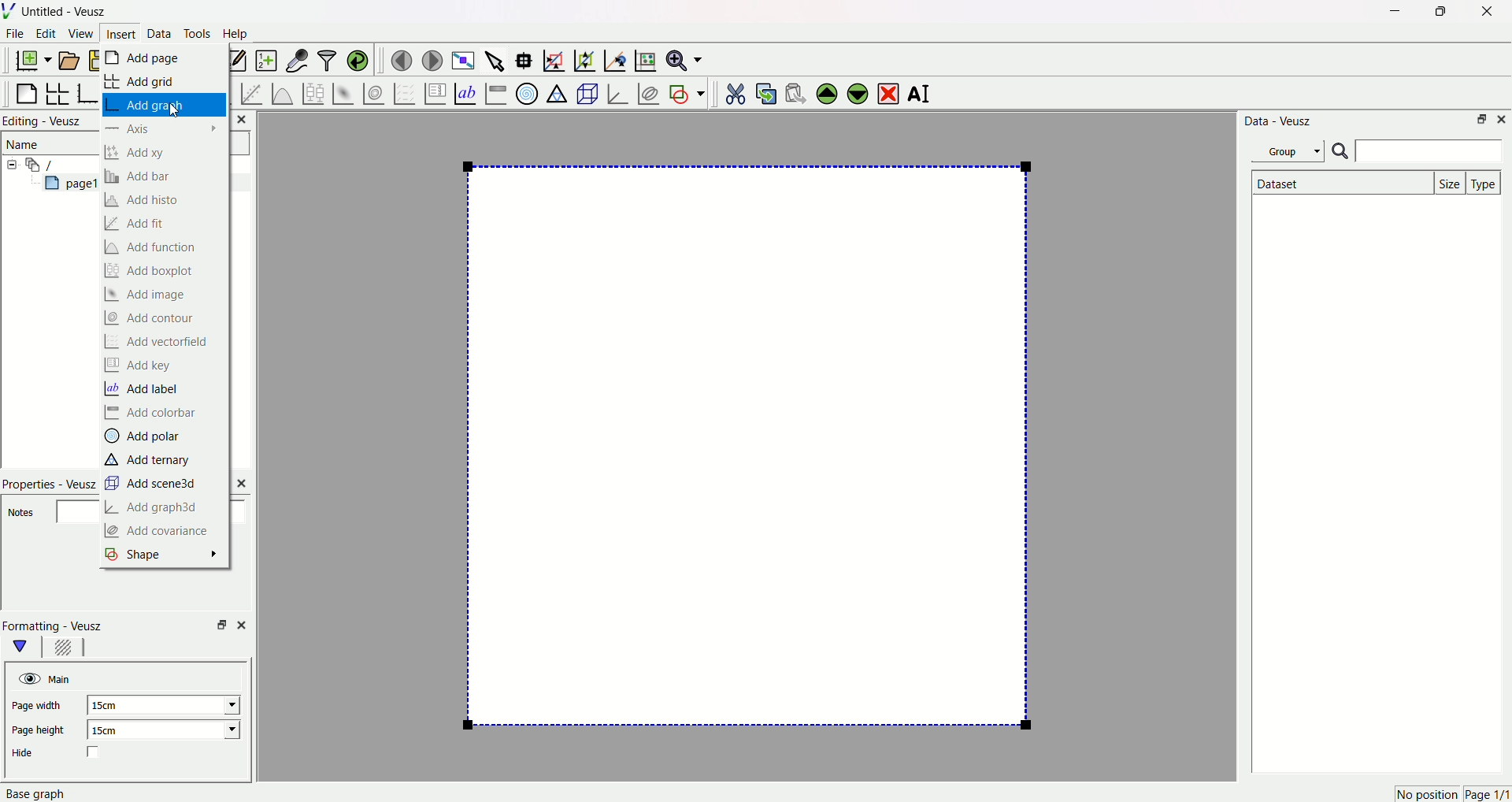 The width and height of the screenshot is (1512, 802). Describe the element at coordinates (921, 95) in the screenshot. I see `rename the widgets` at that location.